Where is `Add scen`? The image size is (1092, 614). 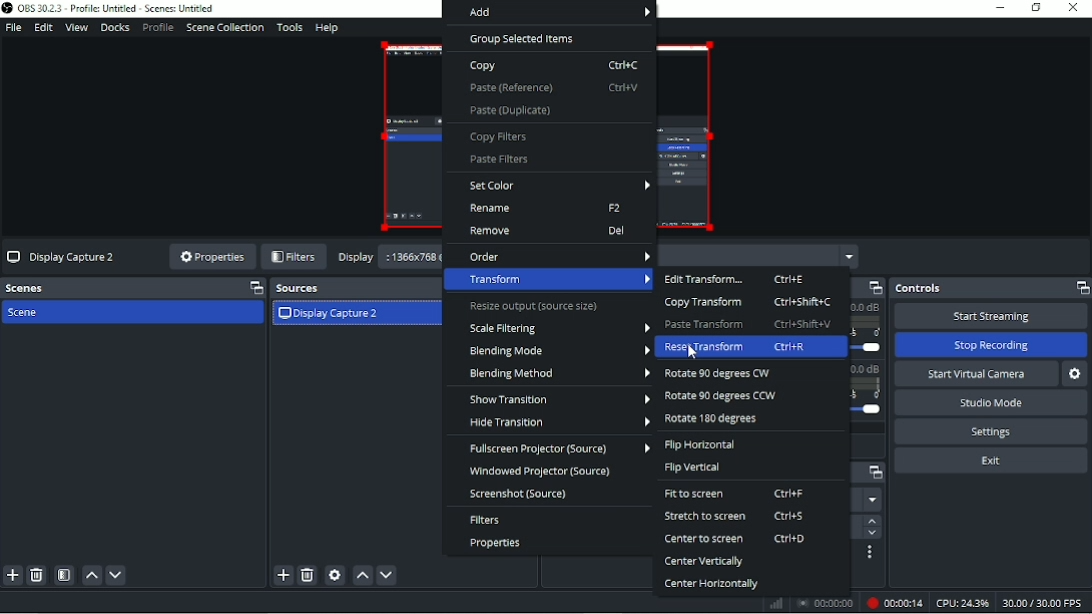
Add scen is located at coordinates (12, 576).